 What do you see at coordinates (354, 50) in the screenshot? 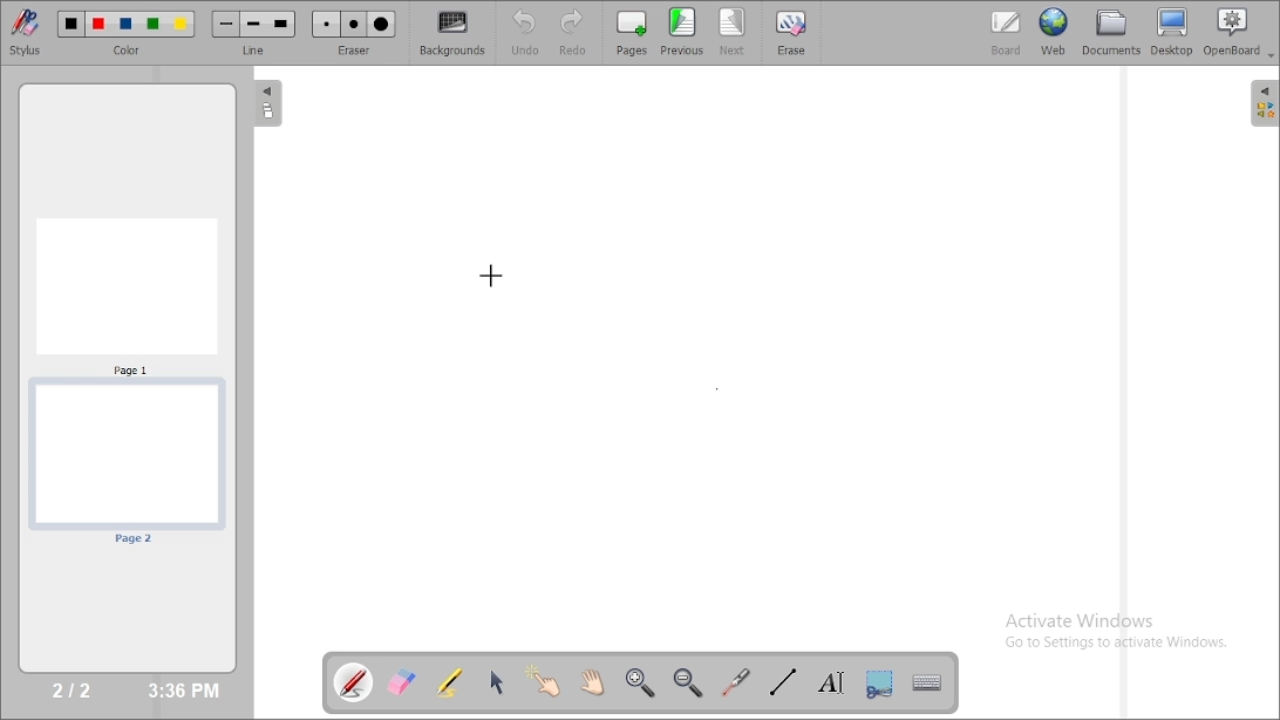
I see `eraser` at bounding box center [354, 50].